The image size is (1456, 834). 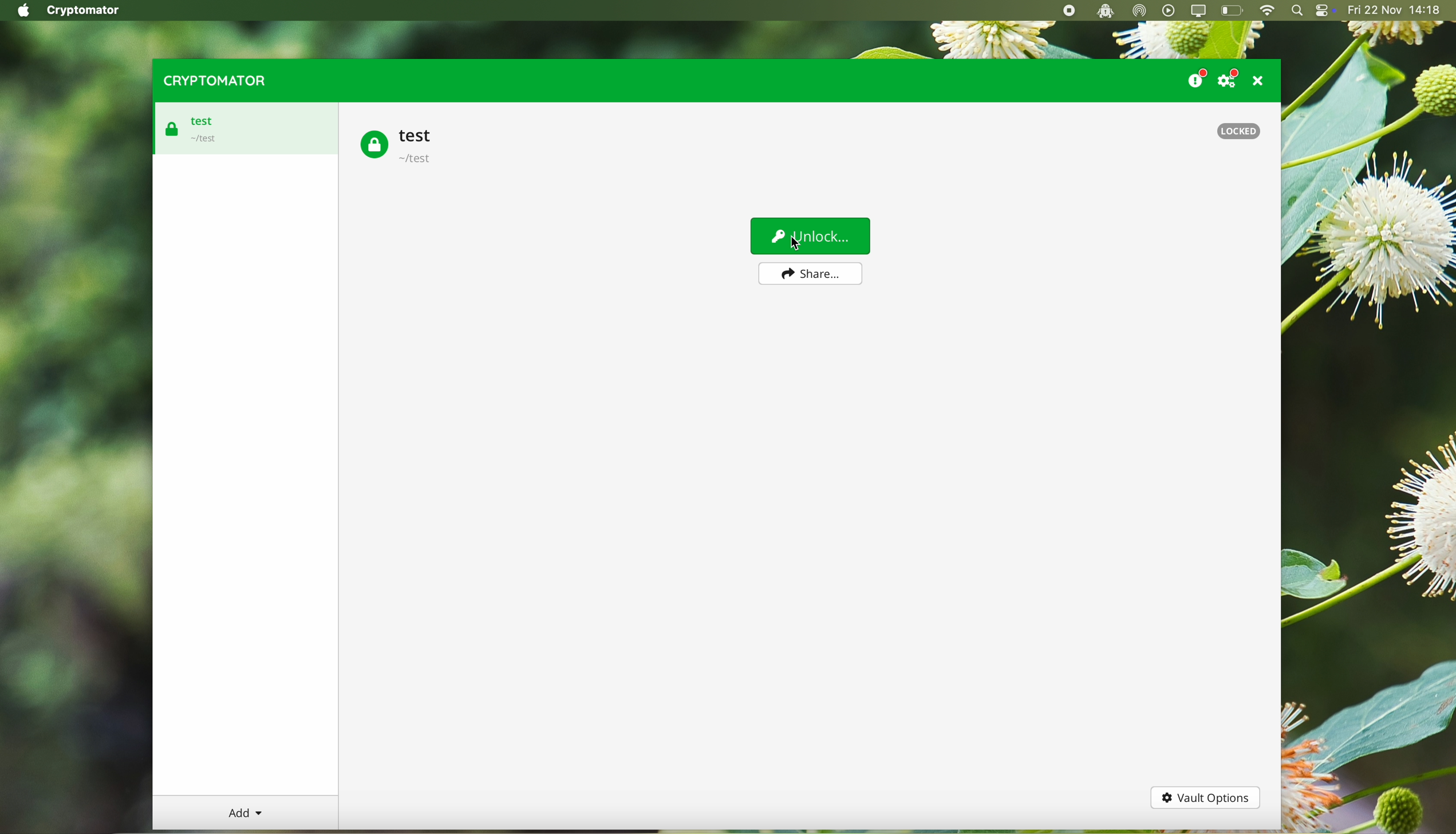 What do you see at coordinates (193, 129) in the screenshot?
I see `test vault` at bounding box center [193, 129].